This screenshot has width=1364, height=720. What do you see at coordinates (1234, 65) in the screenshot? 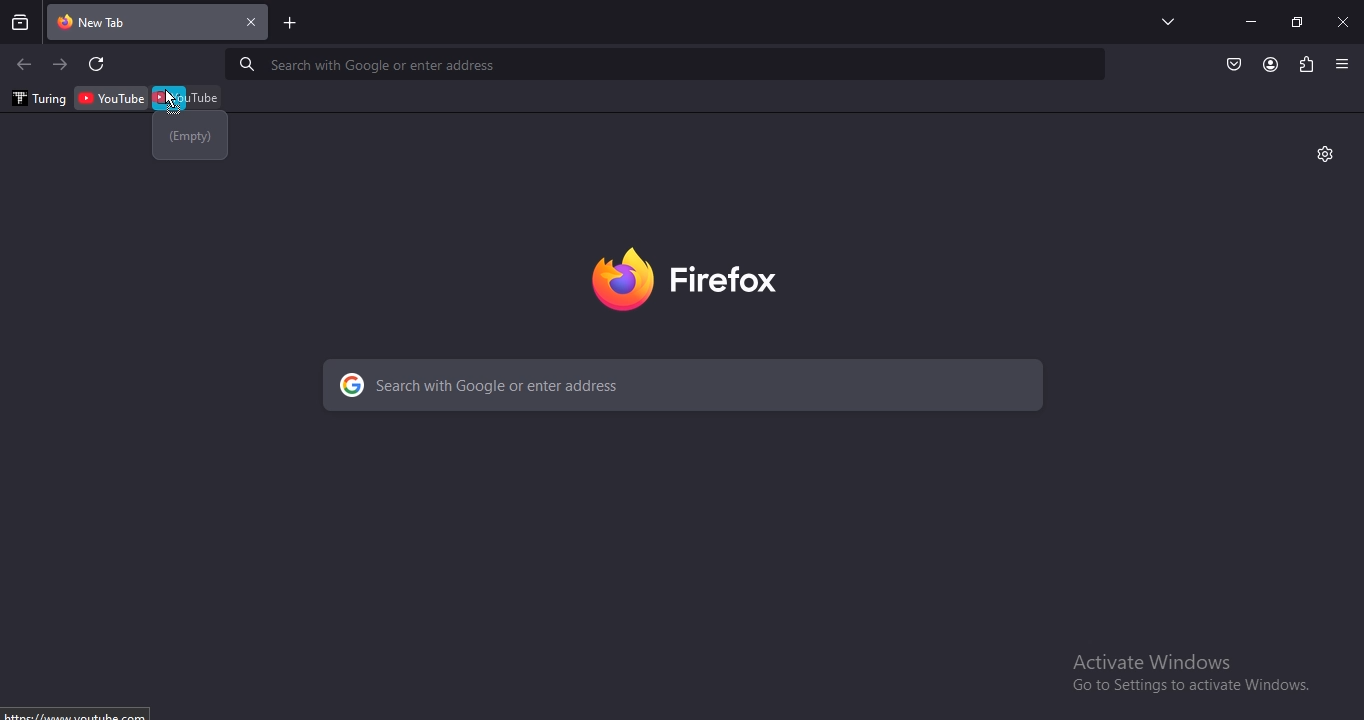
I see `` at bounding box center [1234, 65].